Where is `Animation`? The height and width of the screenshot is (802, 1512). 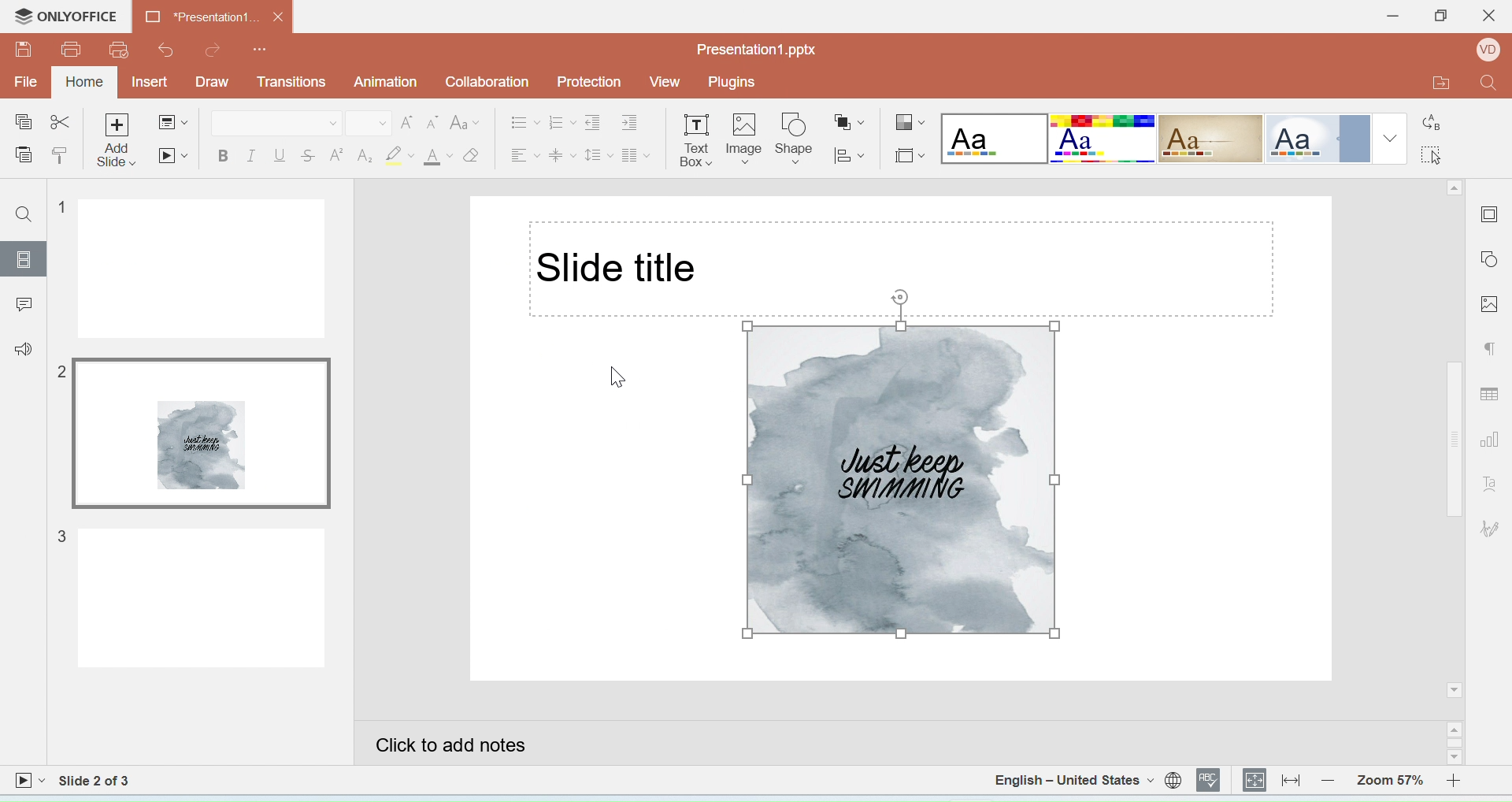 Animation is located at coordinates (387, 82).